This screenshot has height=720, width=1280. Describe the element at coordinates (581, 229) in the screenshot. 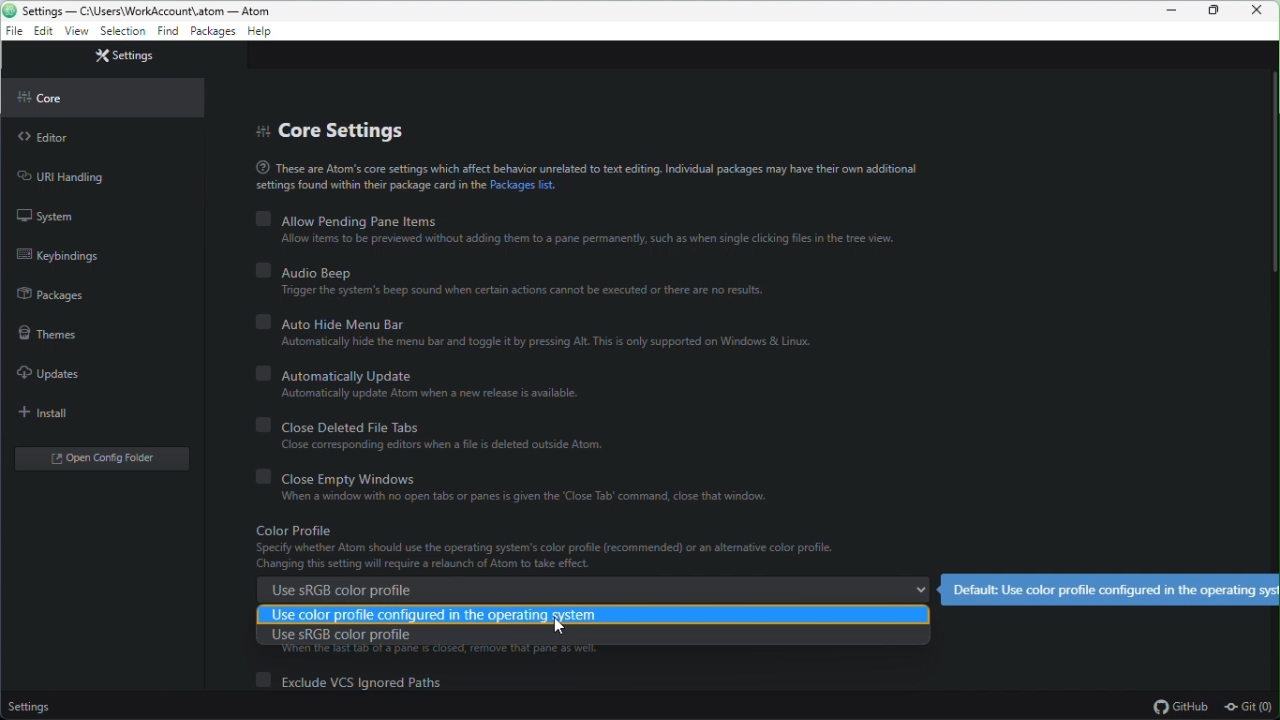

I see `Allow pending Pane items` at that location.